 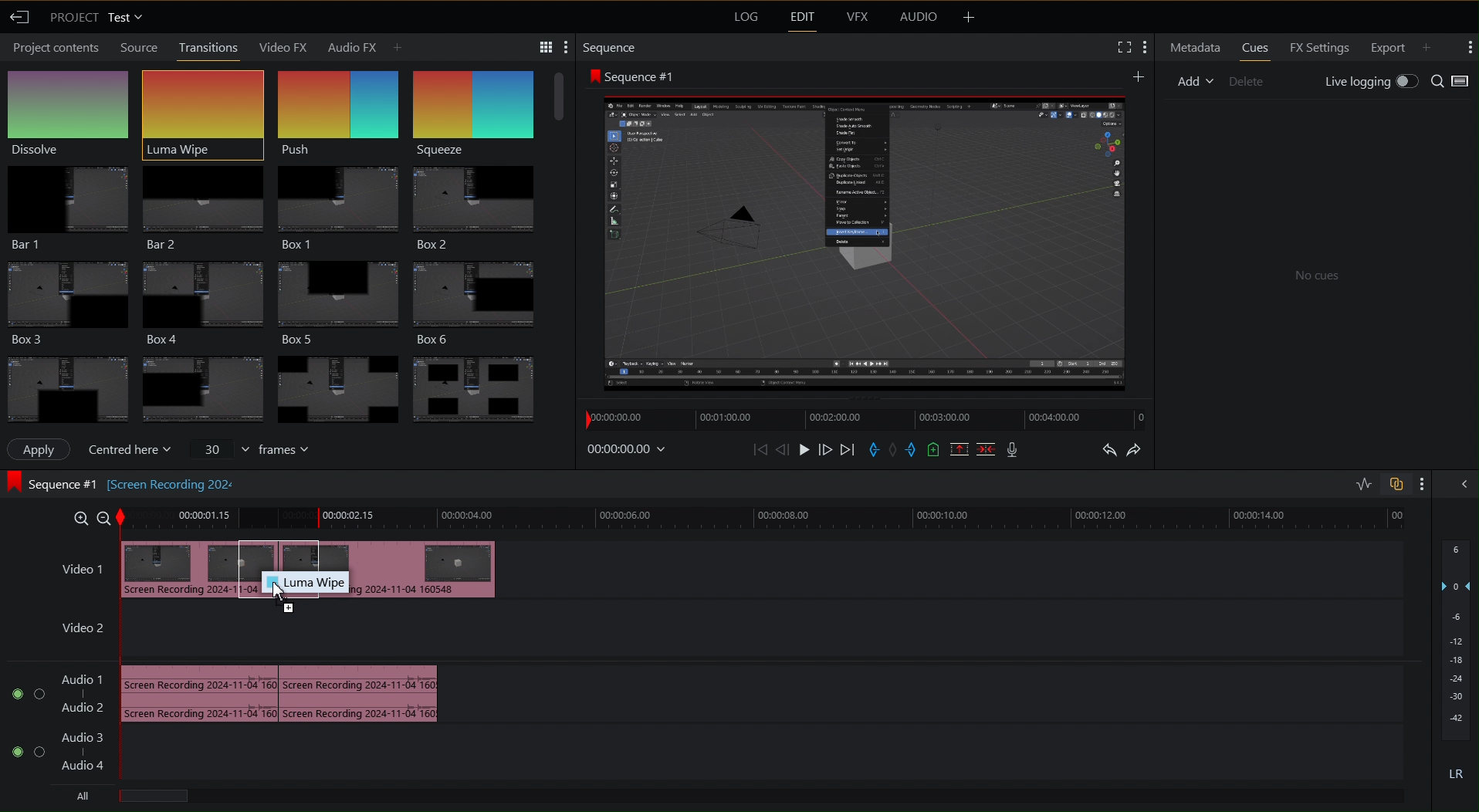 I want to click on Edit, so click(x=800, y=19).